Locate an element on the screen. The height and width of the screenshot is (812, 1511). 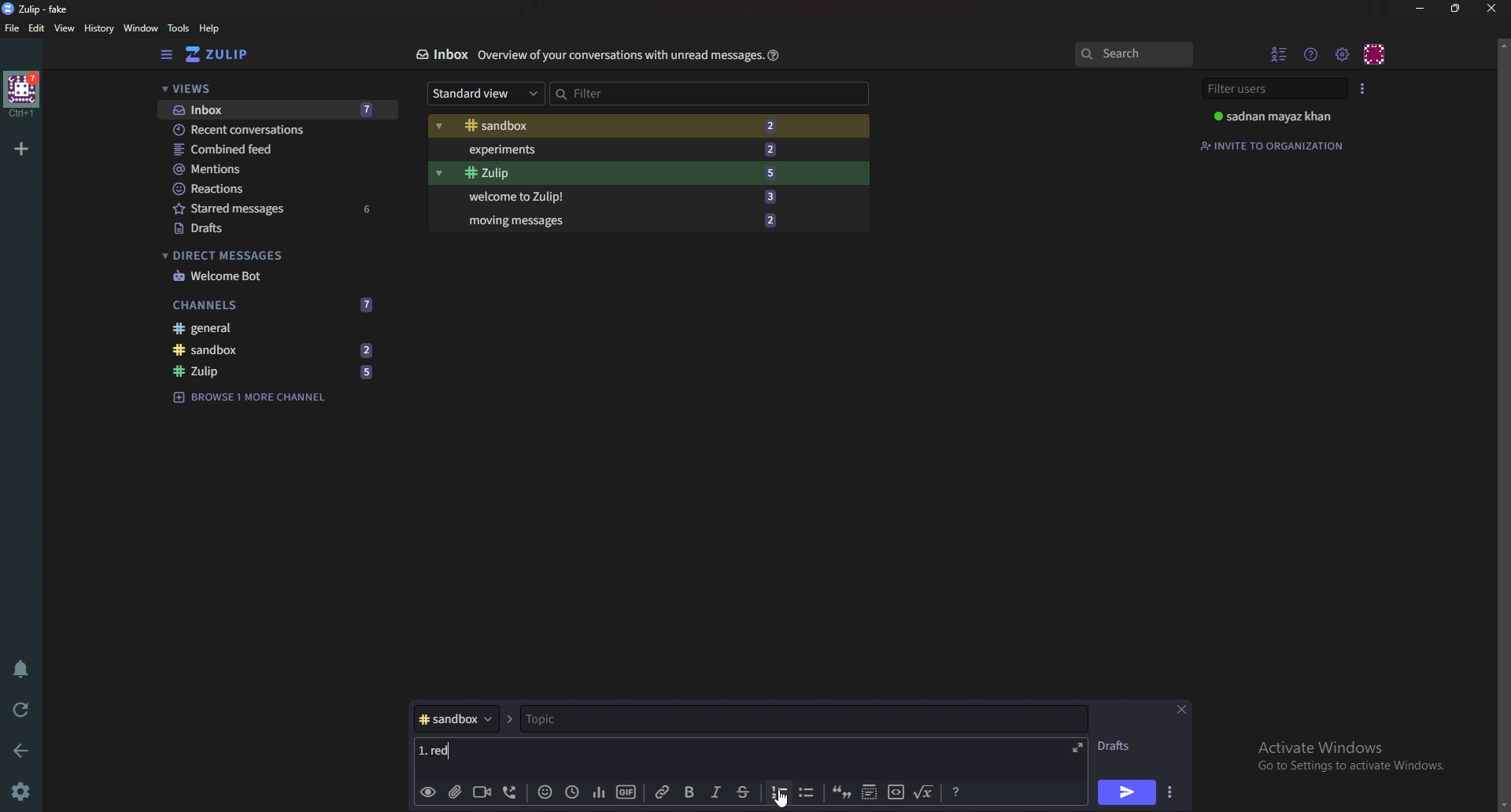
Drafts is located at coordinates (1120, 746).